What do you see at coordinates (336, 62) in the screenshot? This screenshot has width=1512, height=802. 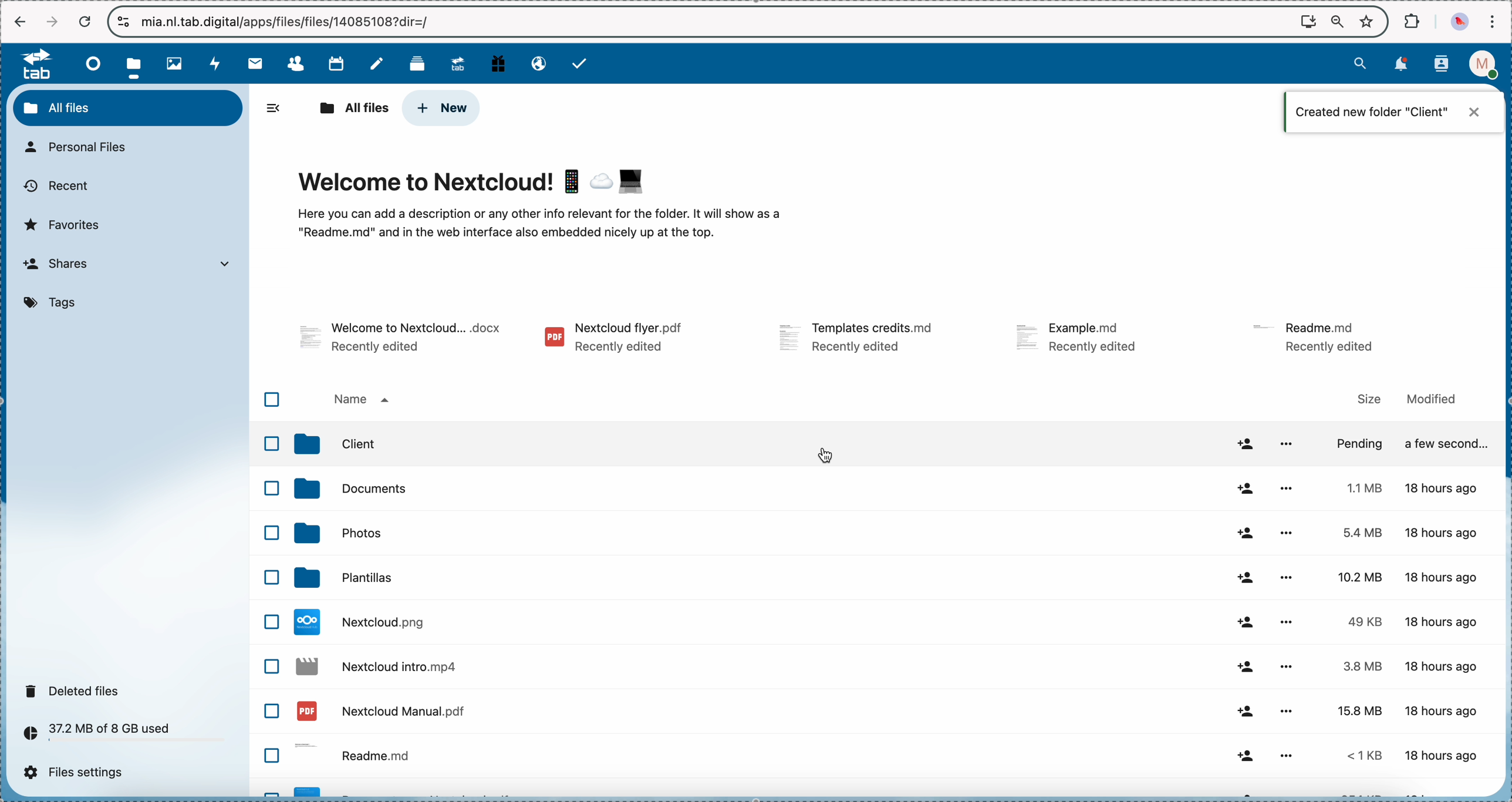 I see `calendar` at bounding box center [336, 62].